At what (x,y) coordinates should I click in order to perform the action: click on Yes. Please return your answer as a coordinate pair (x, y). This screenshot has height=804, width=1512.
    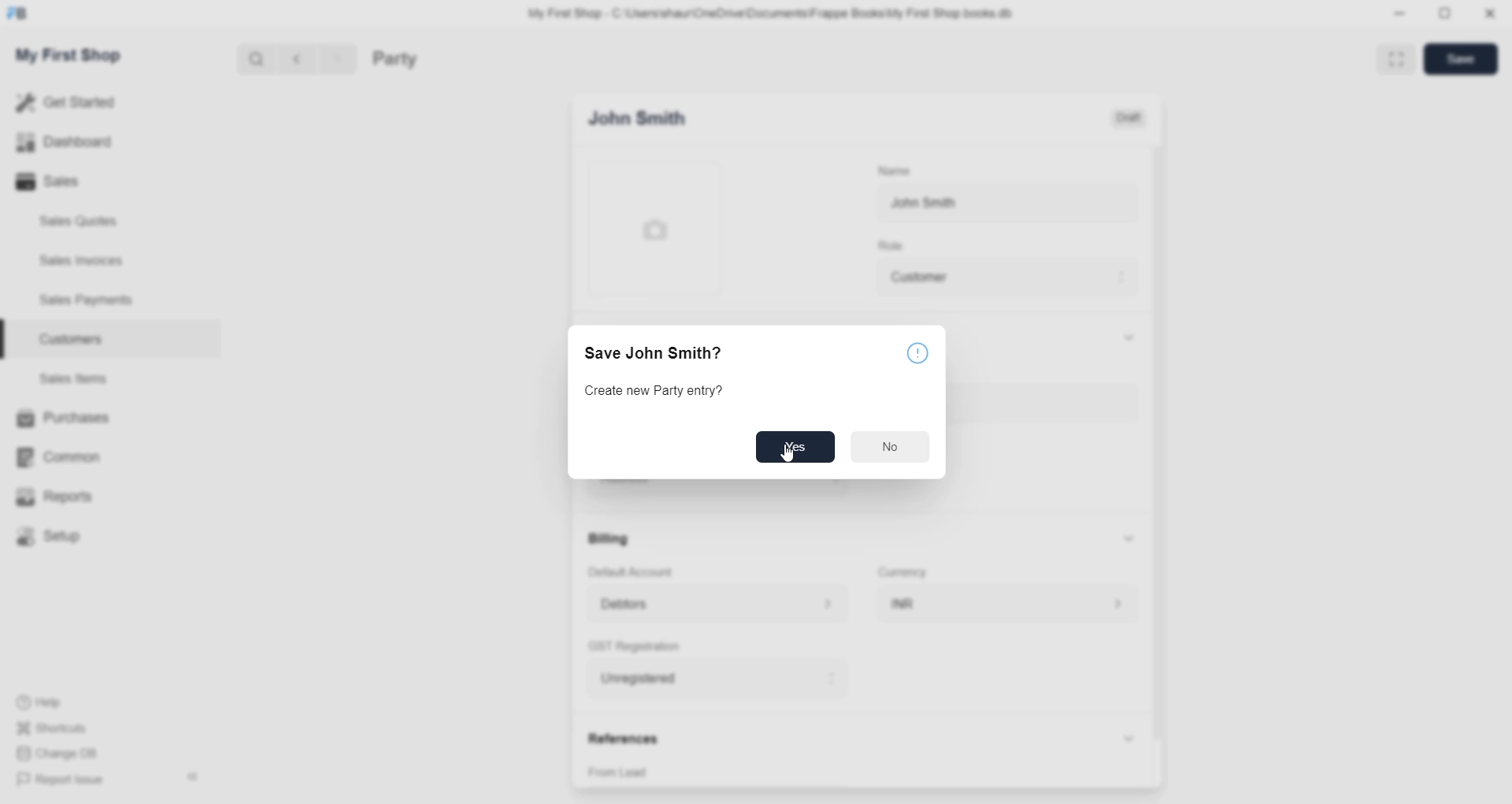
    Looking at the image, I should click on (792, 448).